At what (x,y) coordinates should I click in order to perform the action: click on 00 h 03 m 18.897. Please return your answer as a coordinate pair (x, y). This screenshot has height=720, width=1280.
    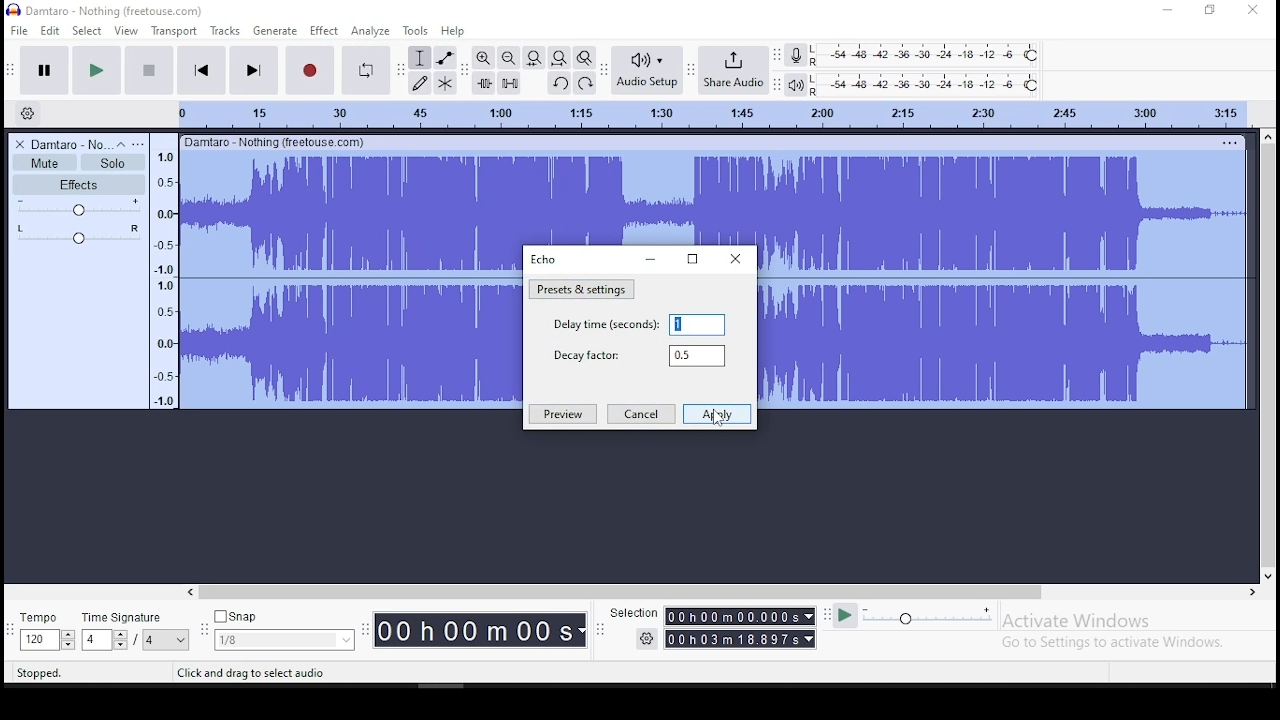
    Looking at the image, I should click on (732, 639).